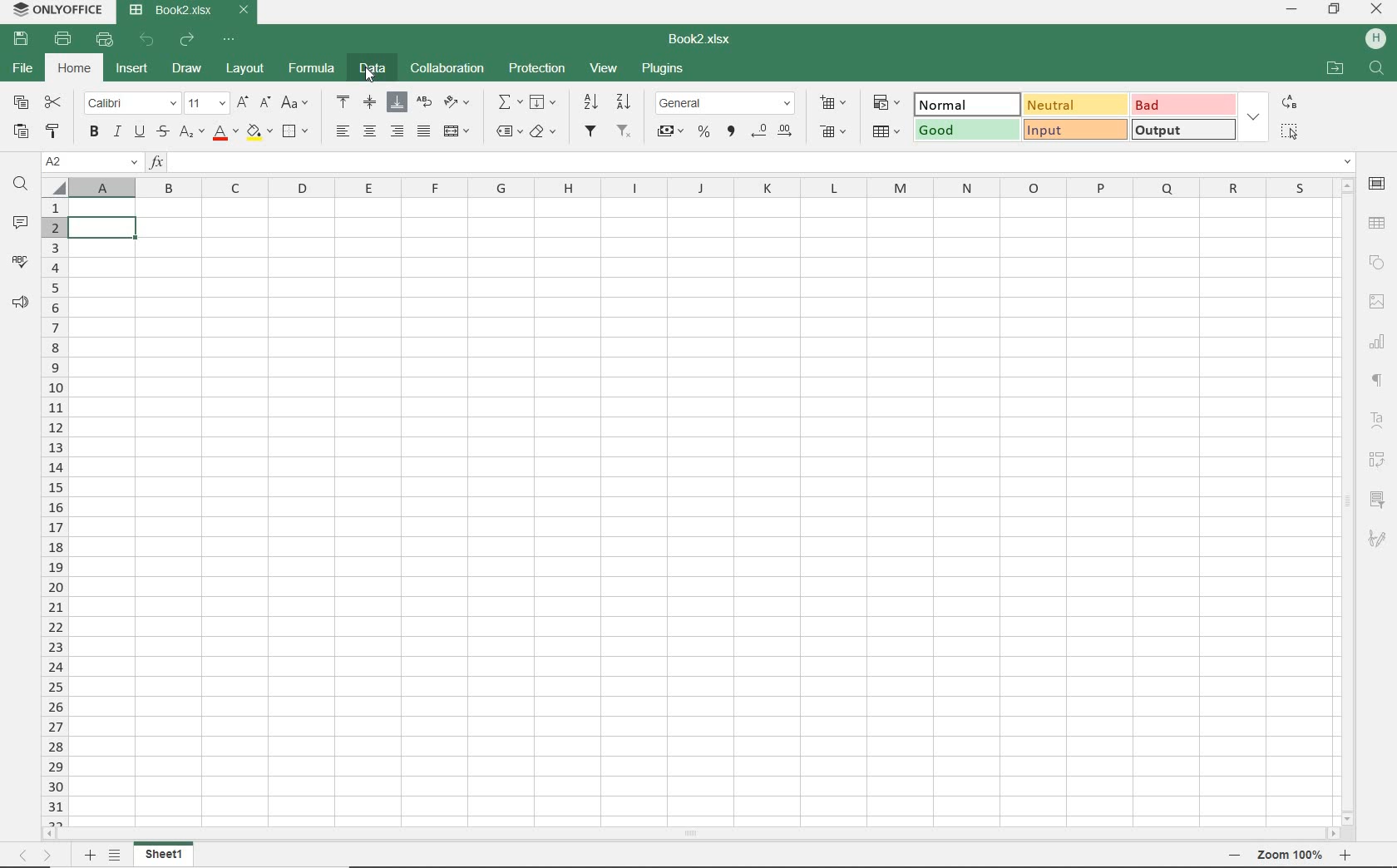 The height and width of the screenshot is (868, 1397). I want to click on MOVE TO SHEET, so click(32, 857).